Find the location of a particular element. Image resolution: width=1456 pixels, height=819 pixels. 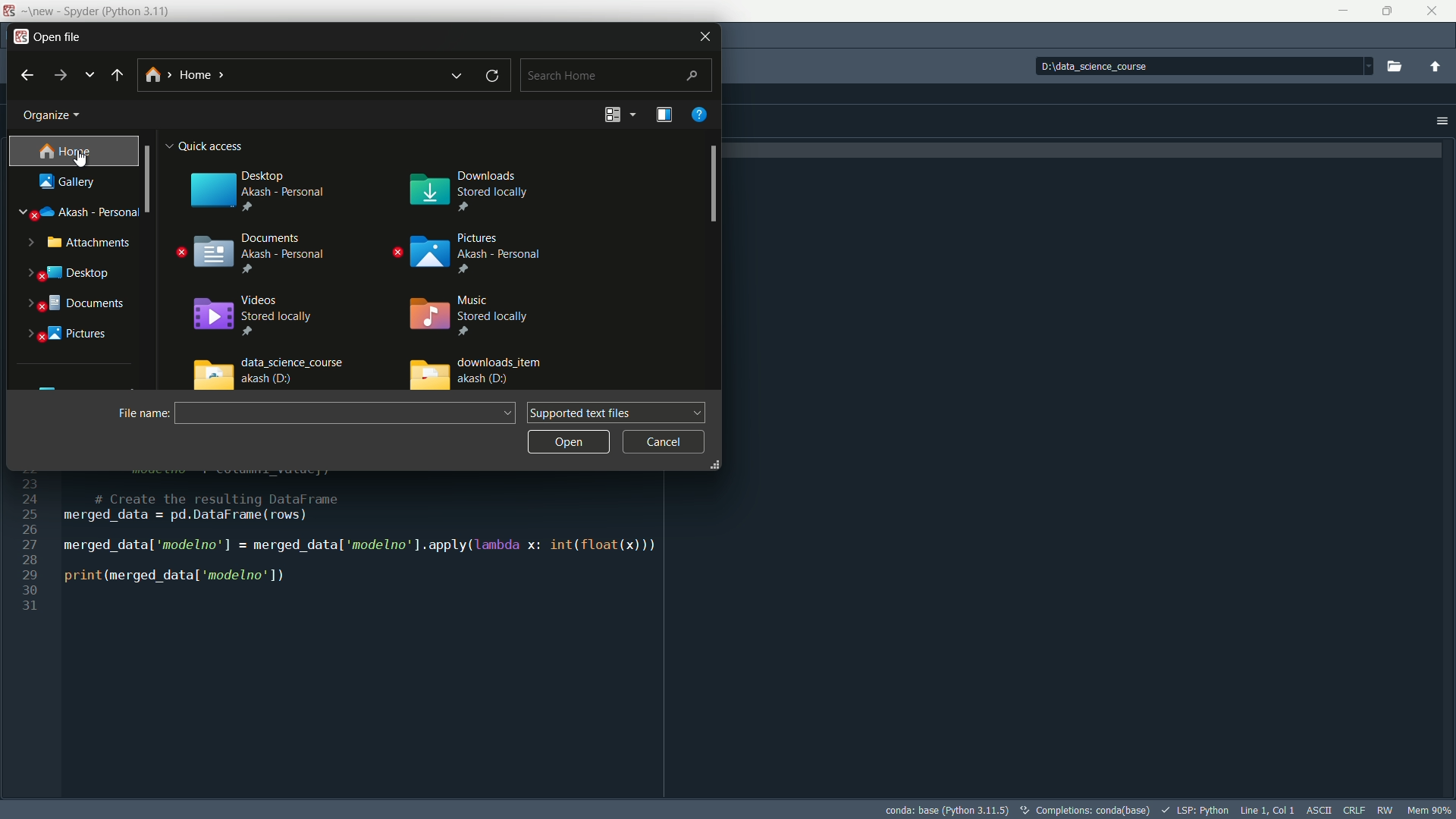

expand is located at coordinates (27, 242).